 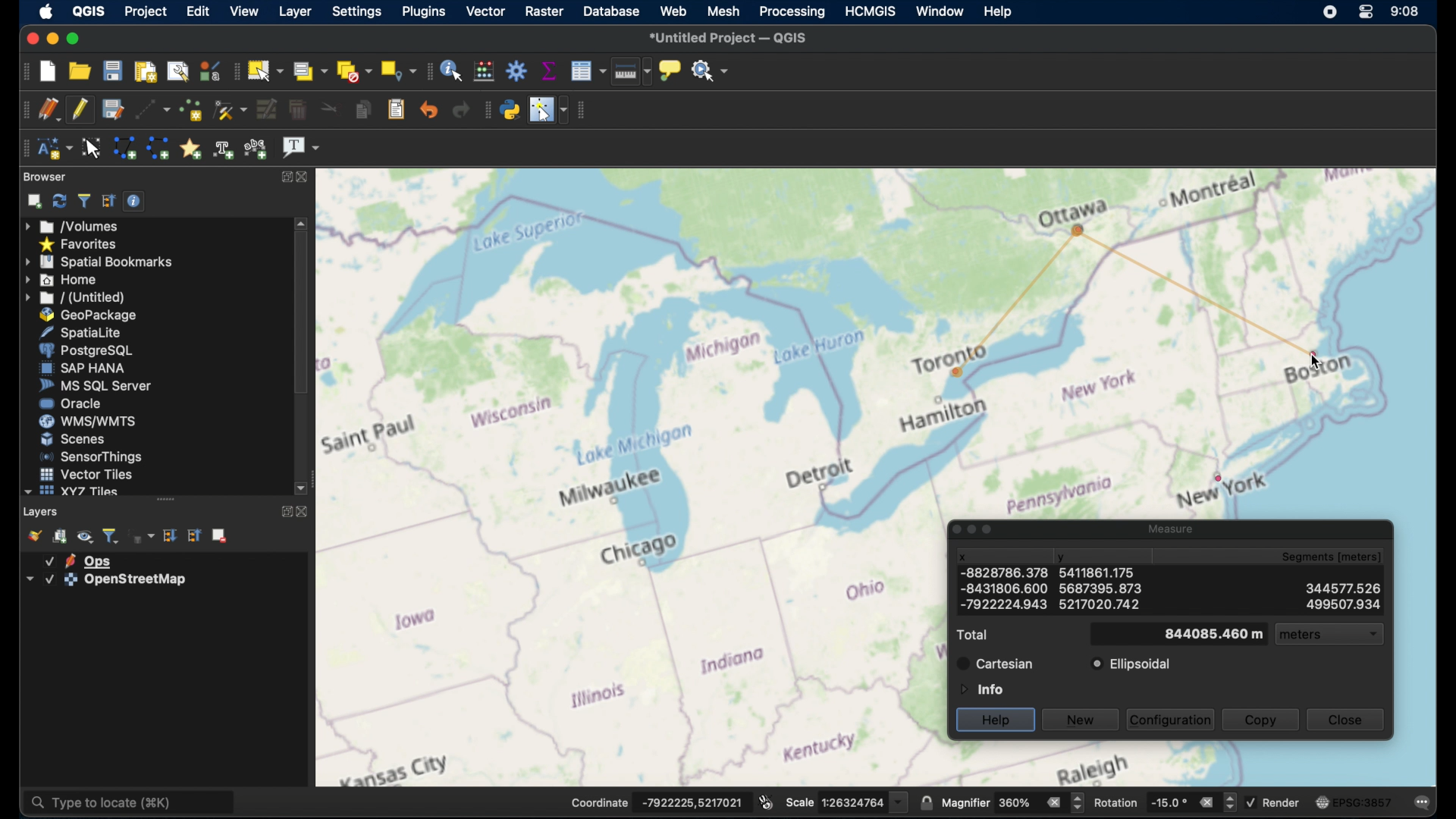 What do you see at coordinates (673, 12) in the screenshot?
I see `web` at bounding box center [673, 12].